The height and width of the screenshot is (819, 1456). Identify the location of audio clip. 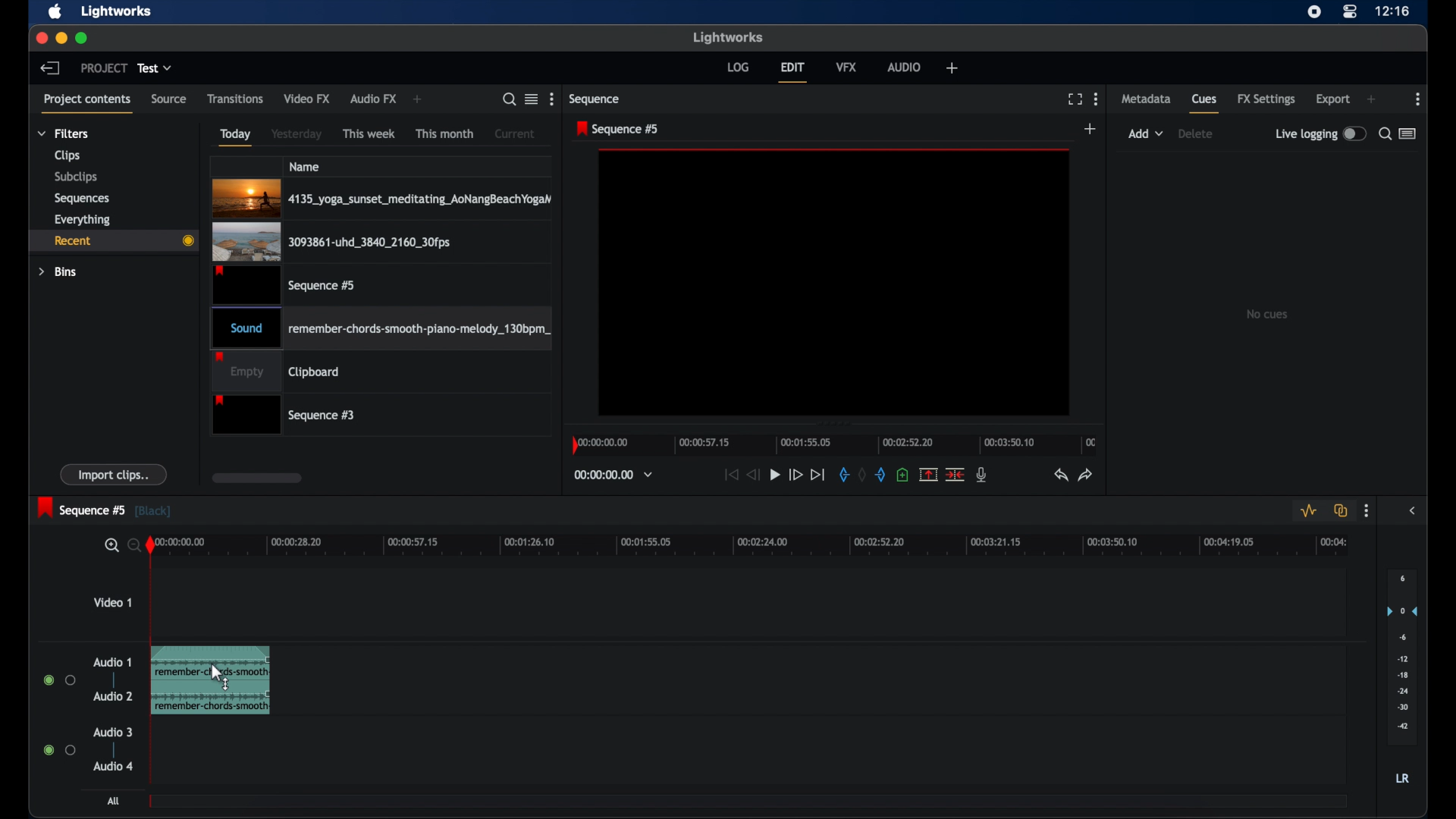
(210, 680).